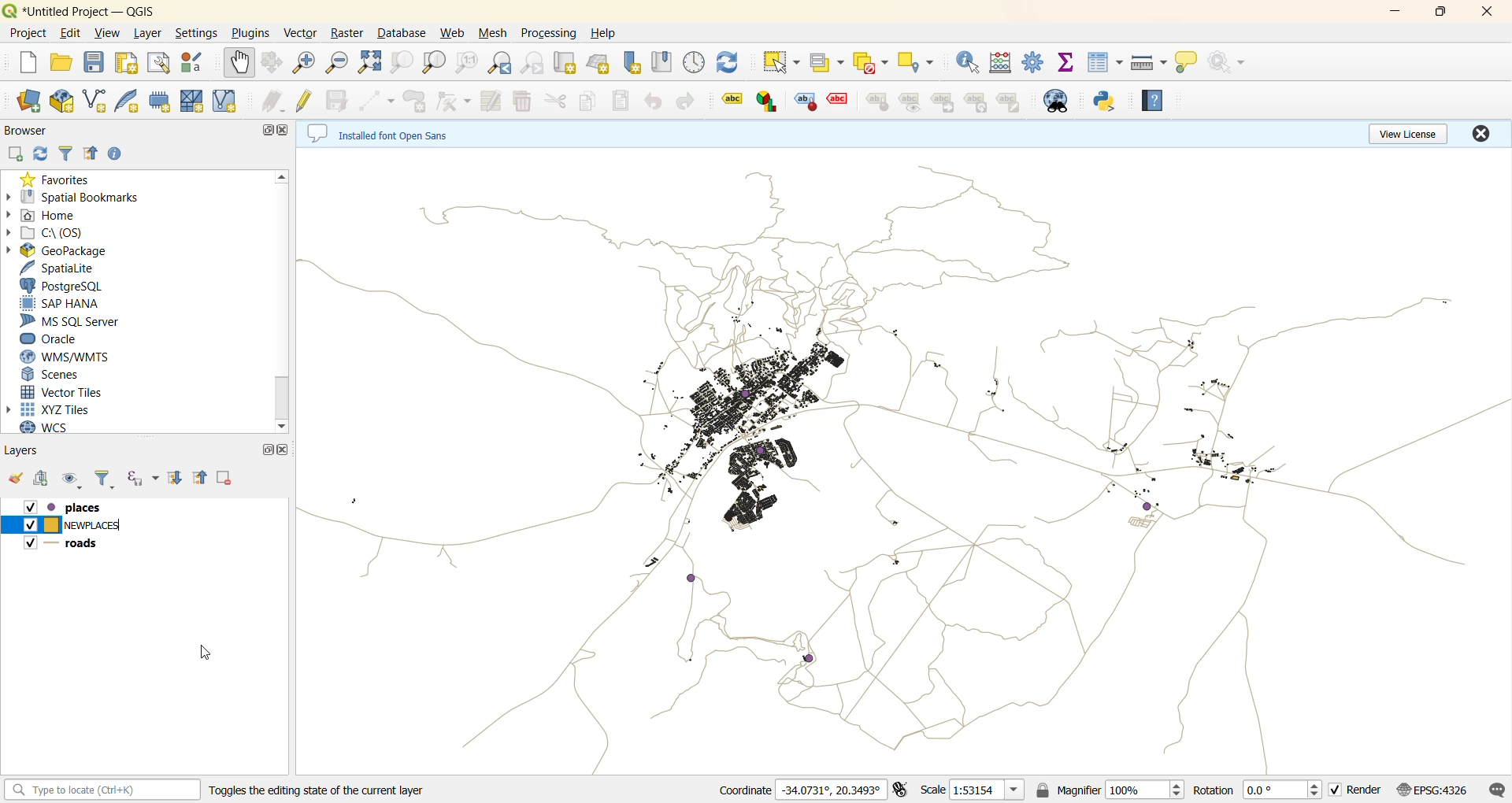 This screenshot has width=1512, height=803. Describe the element at coordinates (570, 63) in the screenshot. I see `new map view` at that location.